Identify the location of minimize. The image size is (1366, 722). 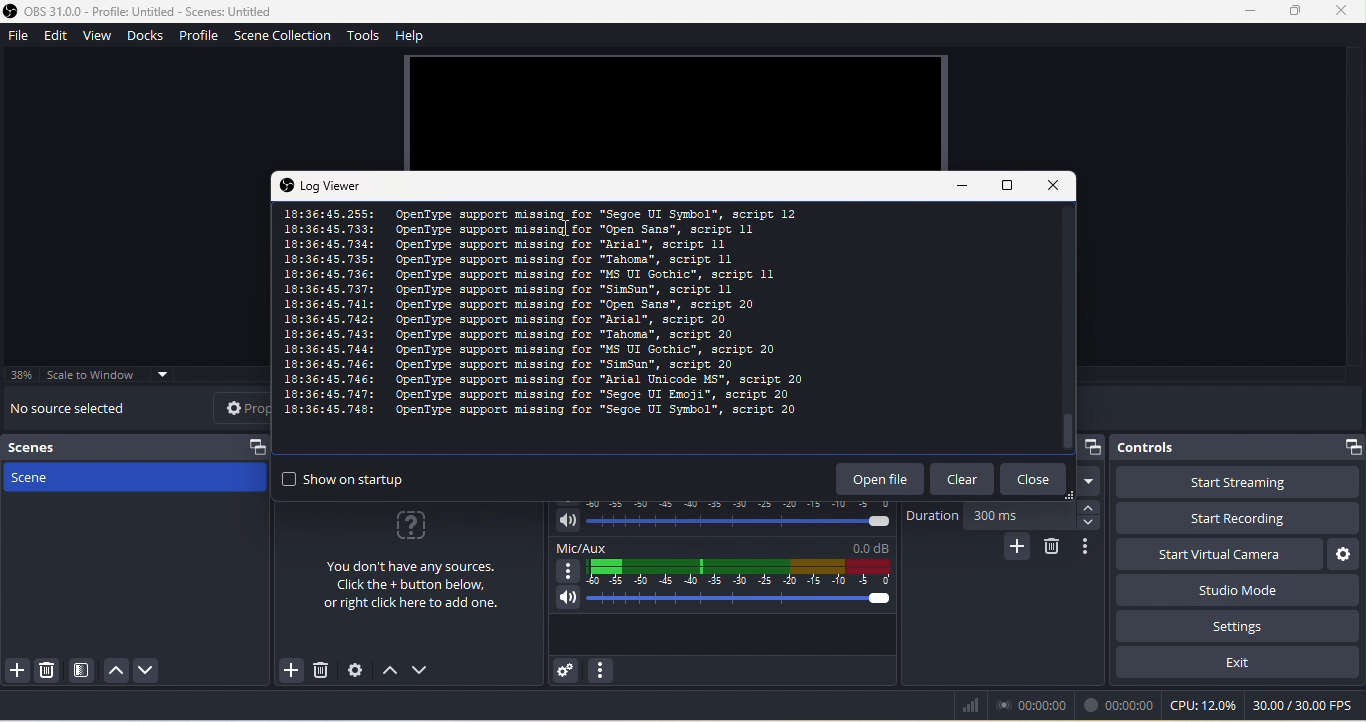
(958, 186).